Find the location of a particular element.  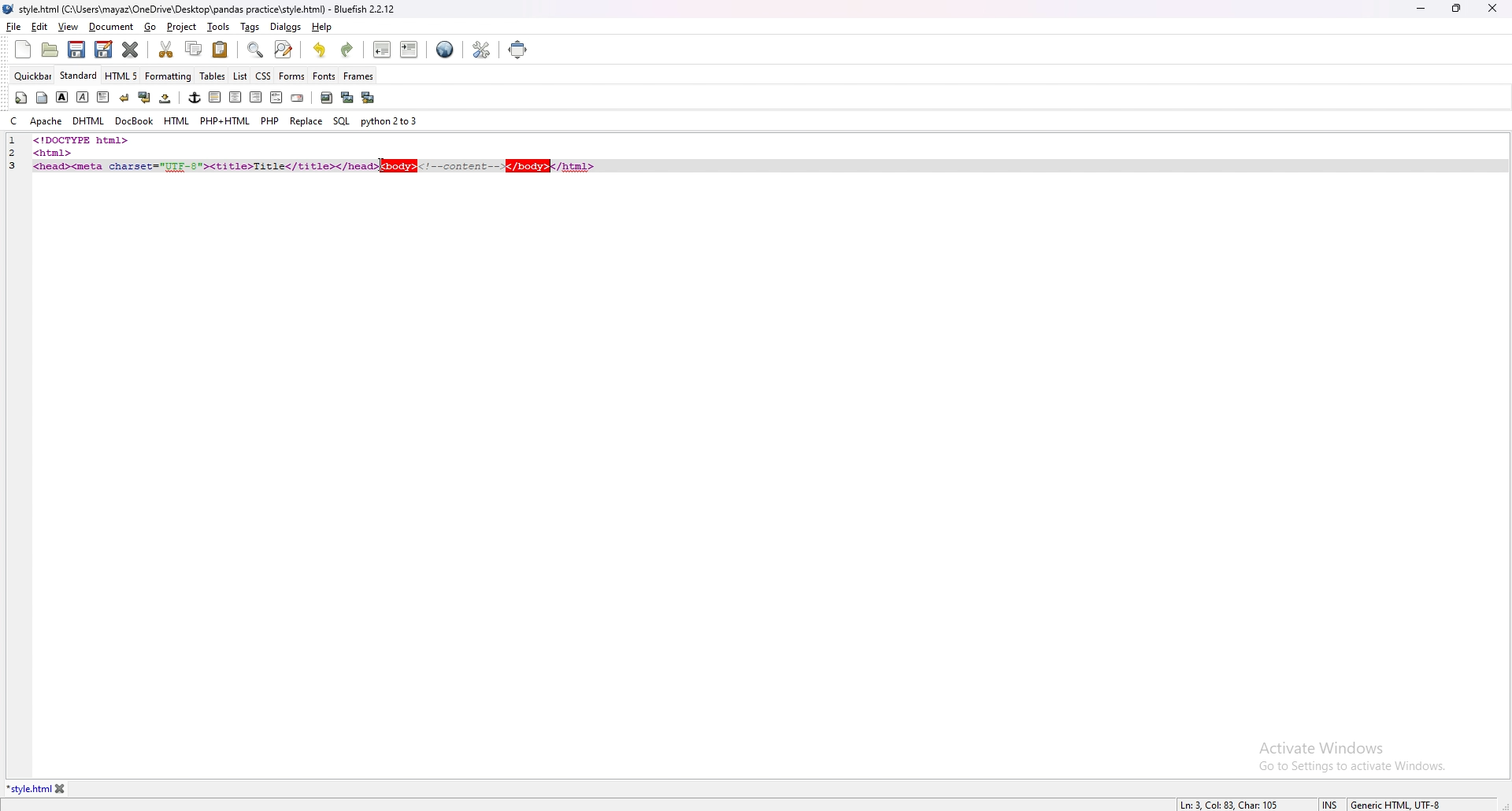

forms is located at coordinates (292, 75).